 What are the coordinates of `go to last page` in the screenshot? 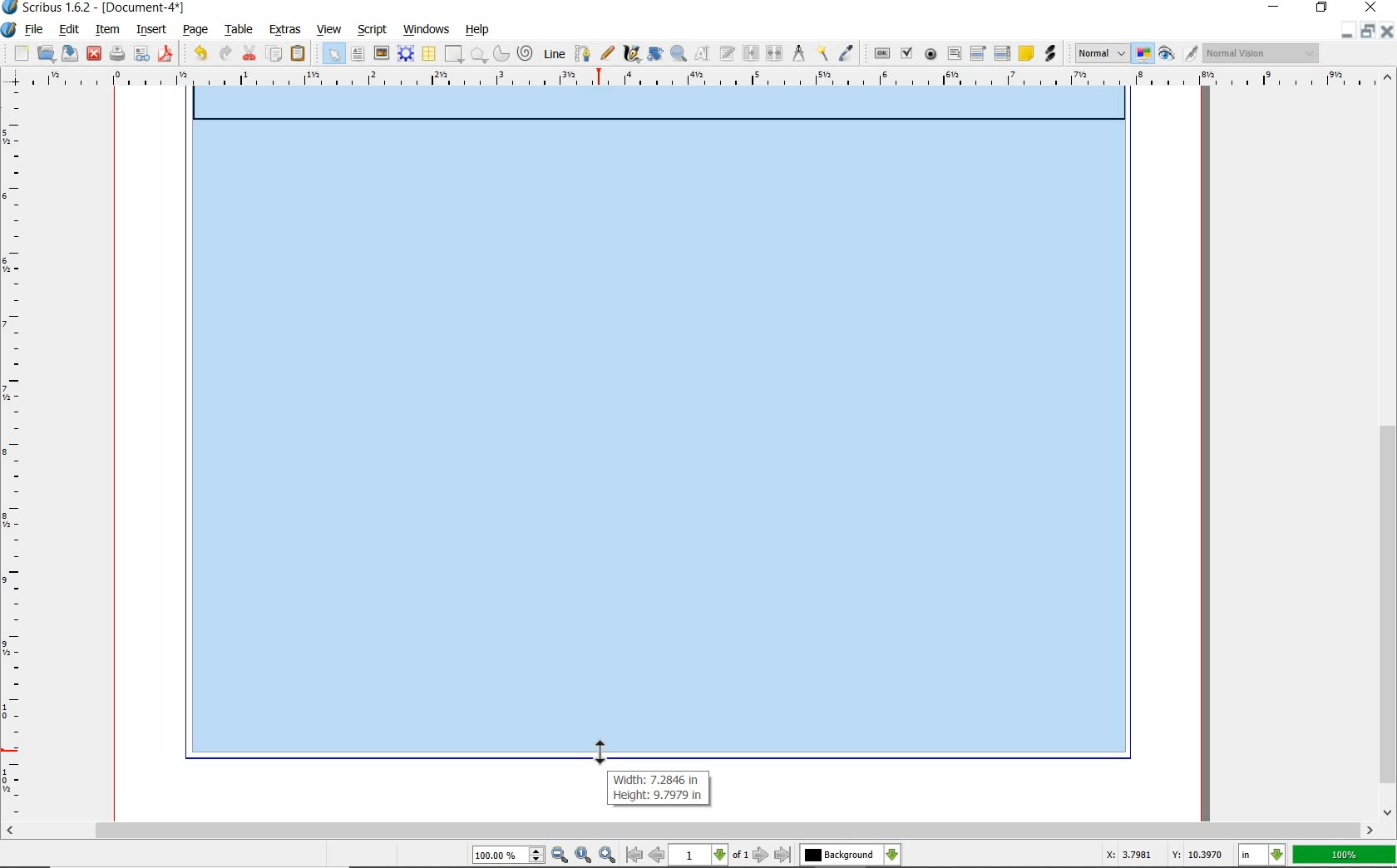 It's located at (782, 855).